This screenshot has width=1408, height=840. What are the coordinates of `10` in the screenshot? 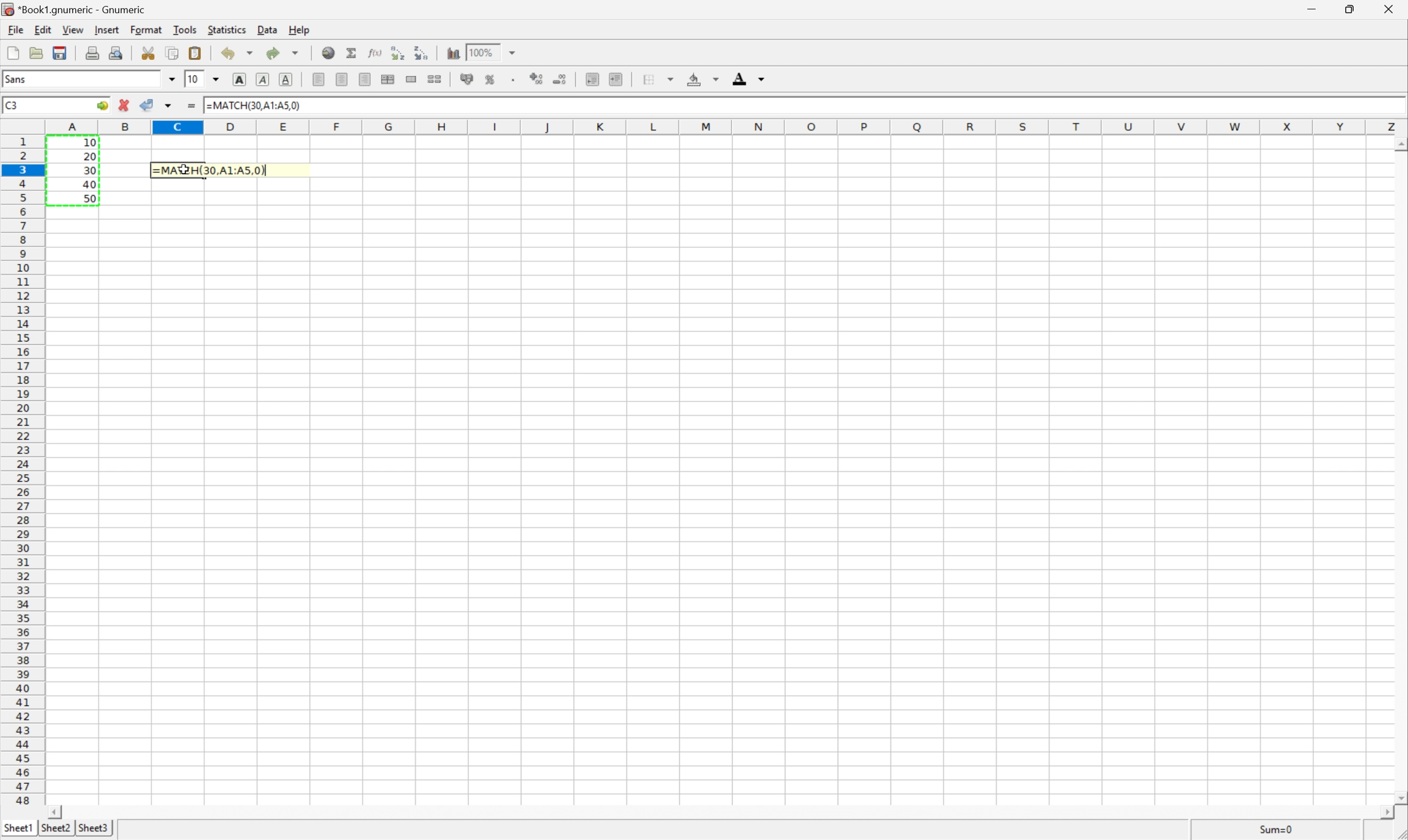 It's located at (191, 79).